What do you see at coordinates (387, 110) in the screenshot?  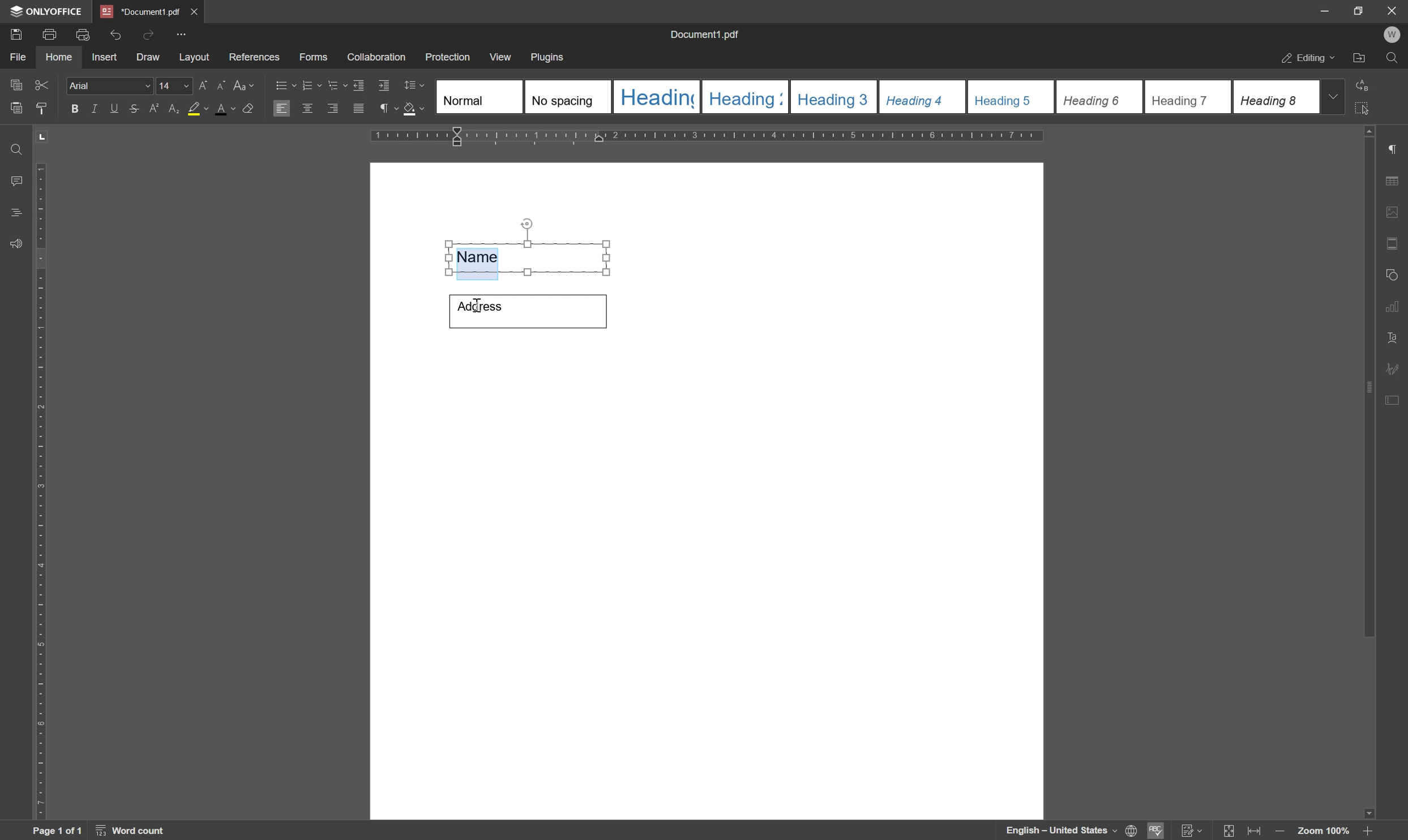 I see `non printing characters` at bounding box center [387, 110].